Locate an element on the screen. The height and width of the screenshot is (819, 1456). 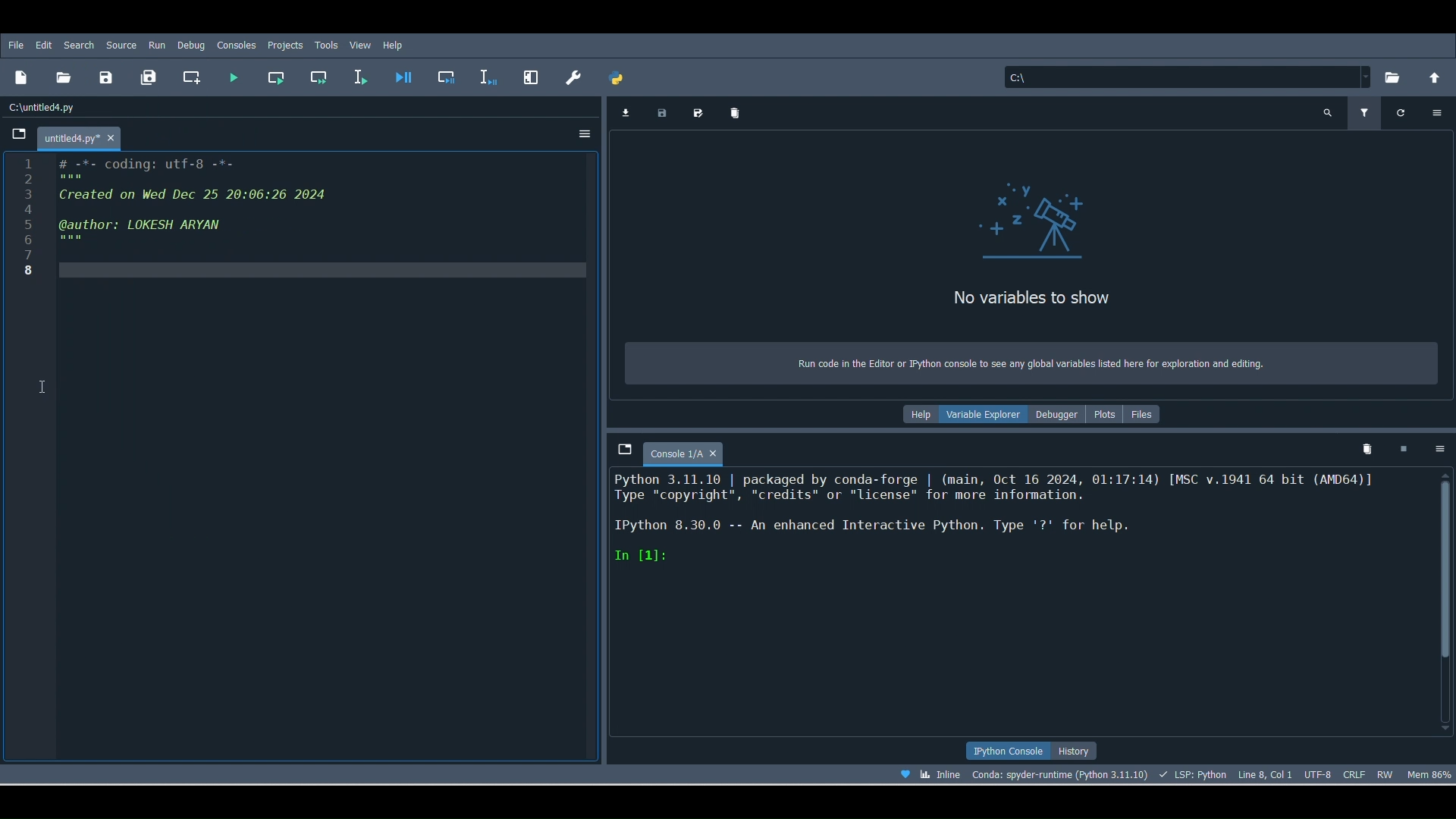
Remove all variables is located at coordinates (740, 108).